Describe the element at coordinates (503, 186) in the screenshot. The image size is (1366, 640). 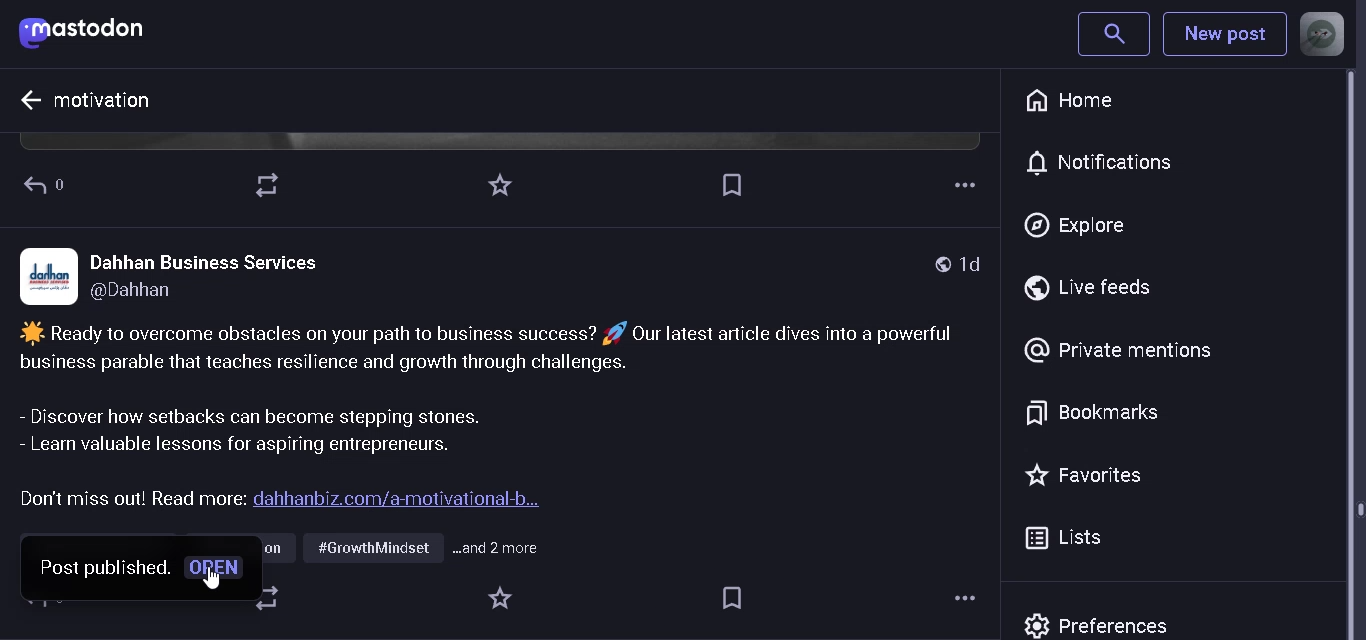
I see `Favorite` at that location.